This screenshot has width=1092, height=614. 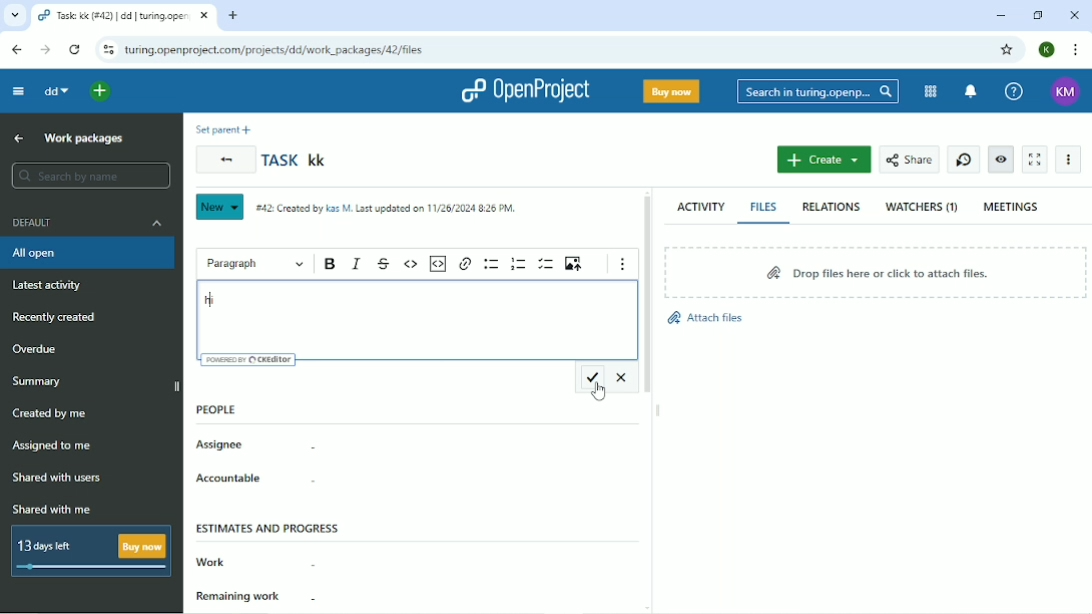 I want to click on Summary, so click(x=40, y=381).